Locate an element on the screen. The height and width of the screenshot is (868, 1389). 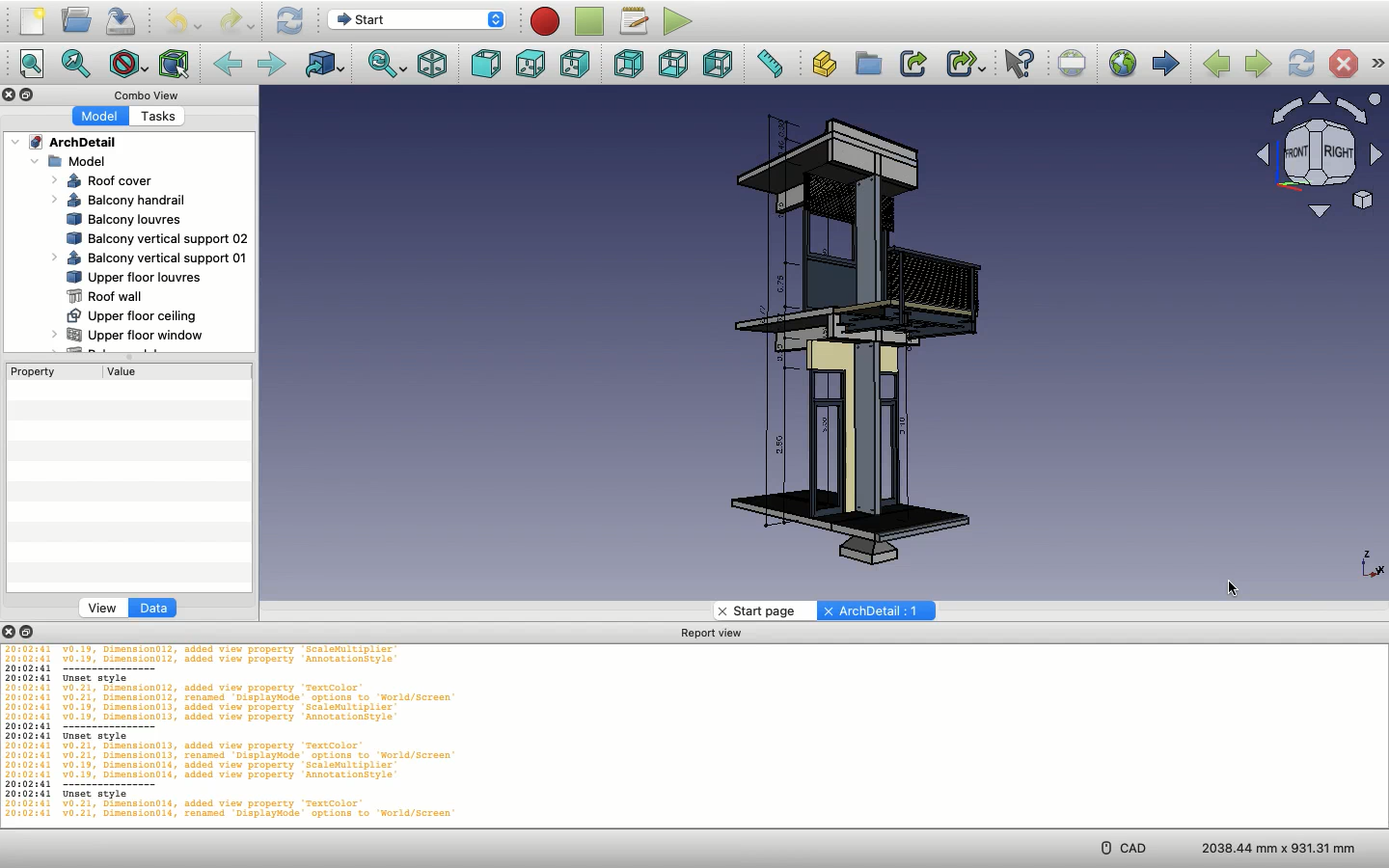
Open website is located at coordinates (1123, 64).